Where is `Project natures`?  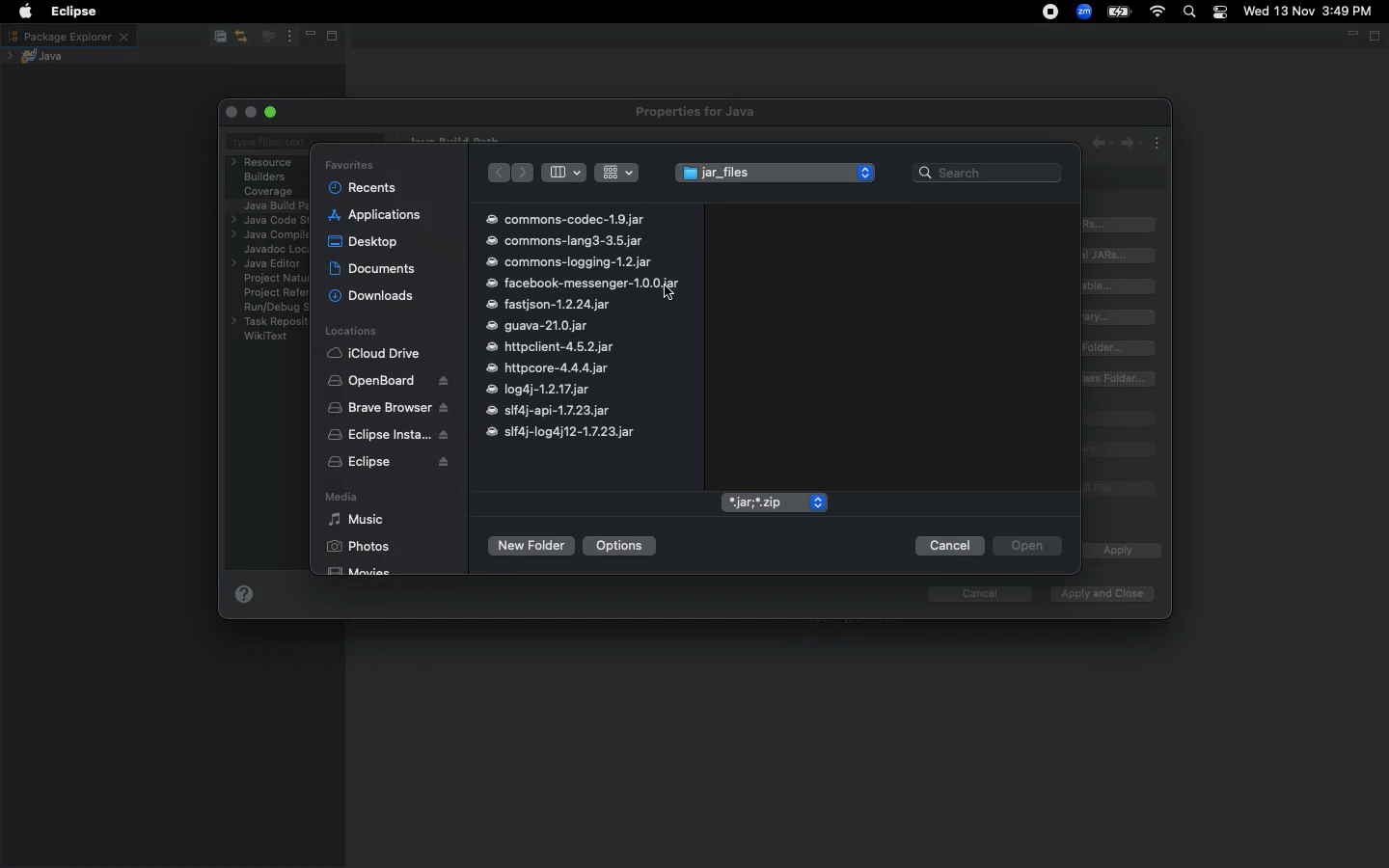 Project natures is located at coordinates (270, 281).